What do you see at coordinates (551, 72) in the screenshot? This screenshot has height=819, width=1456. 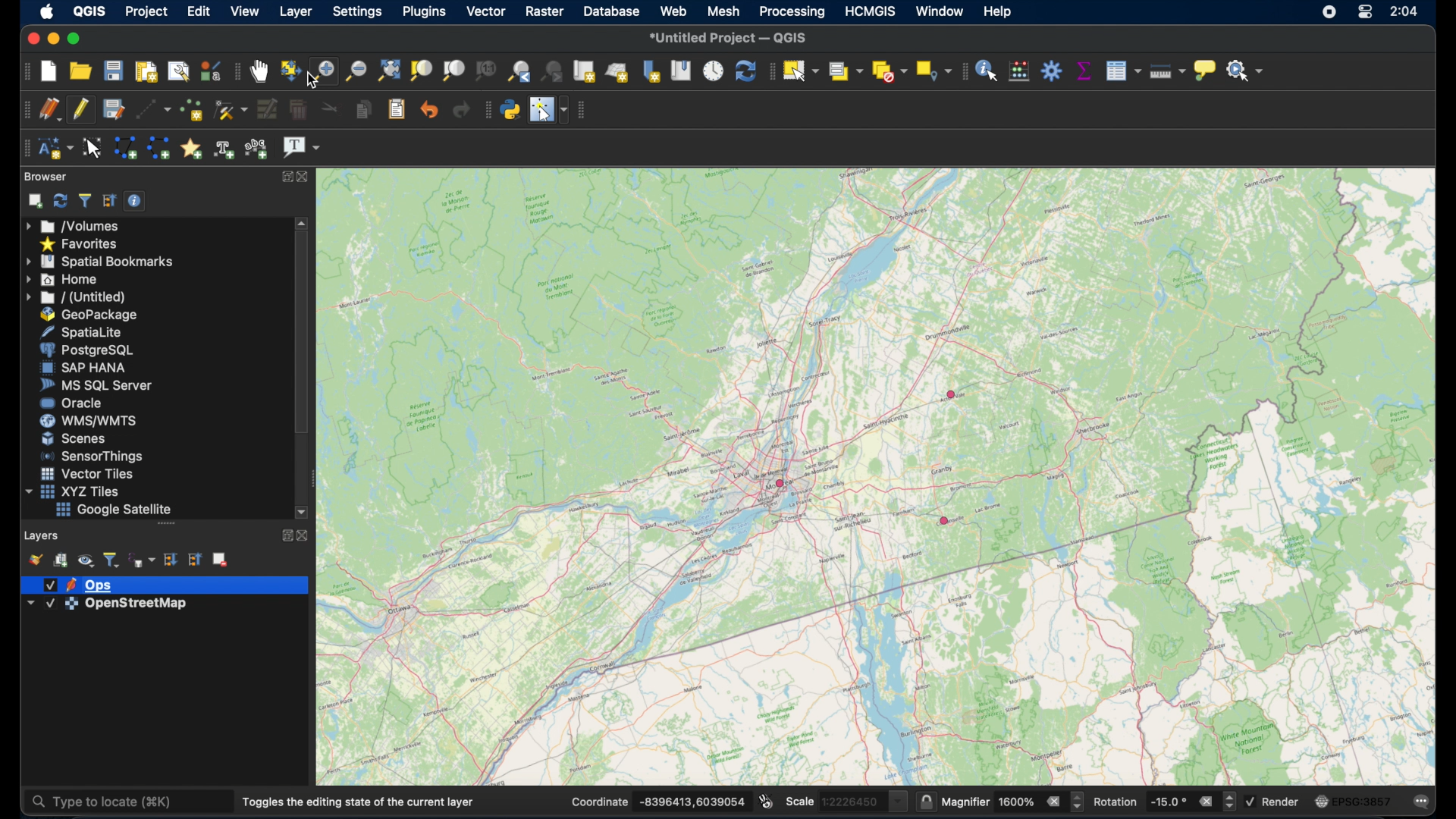 I see `zoom next` at bounding box center [551, 72].